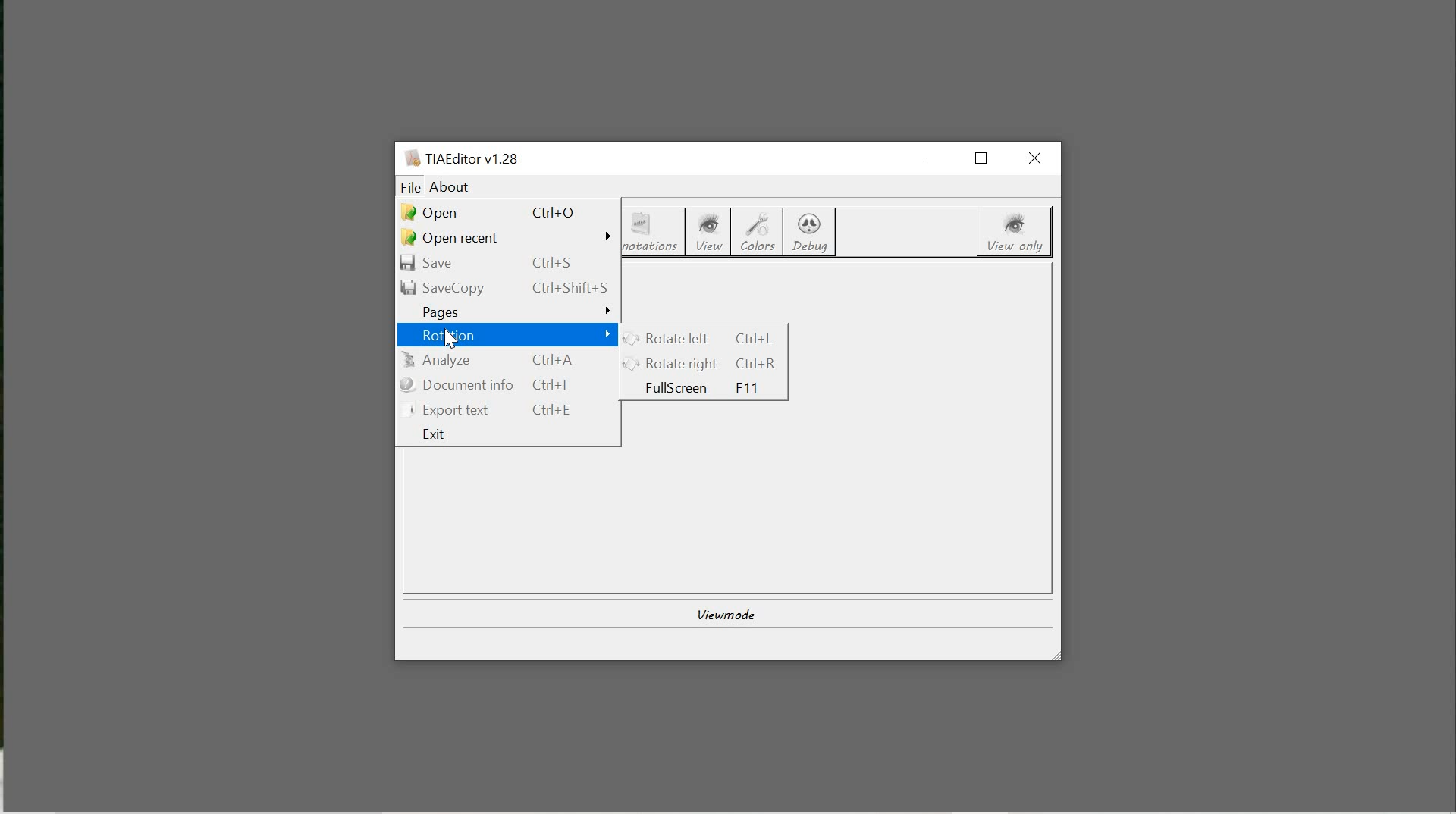  What do you see at coordinates (504, 265) in the screenshot?
I see `save` at bounding box center [504, 265].